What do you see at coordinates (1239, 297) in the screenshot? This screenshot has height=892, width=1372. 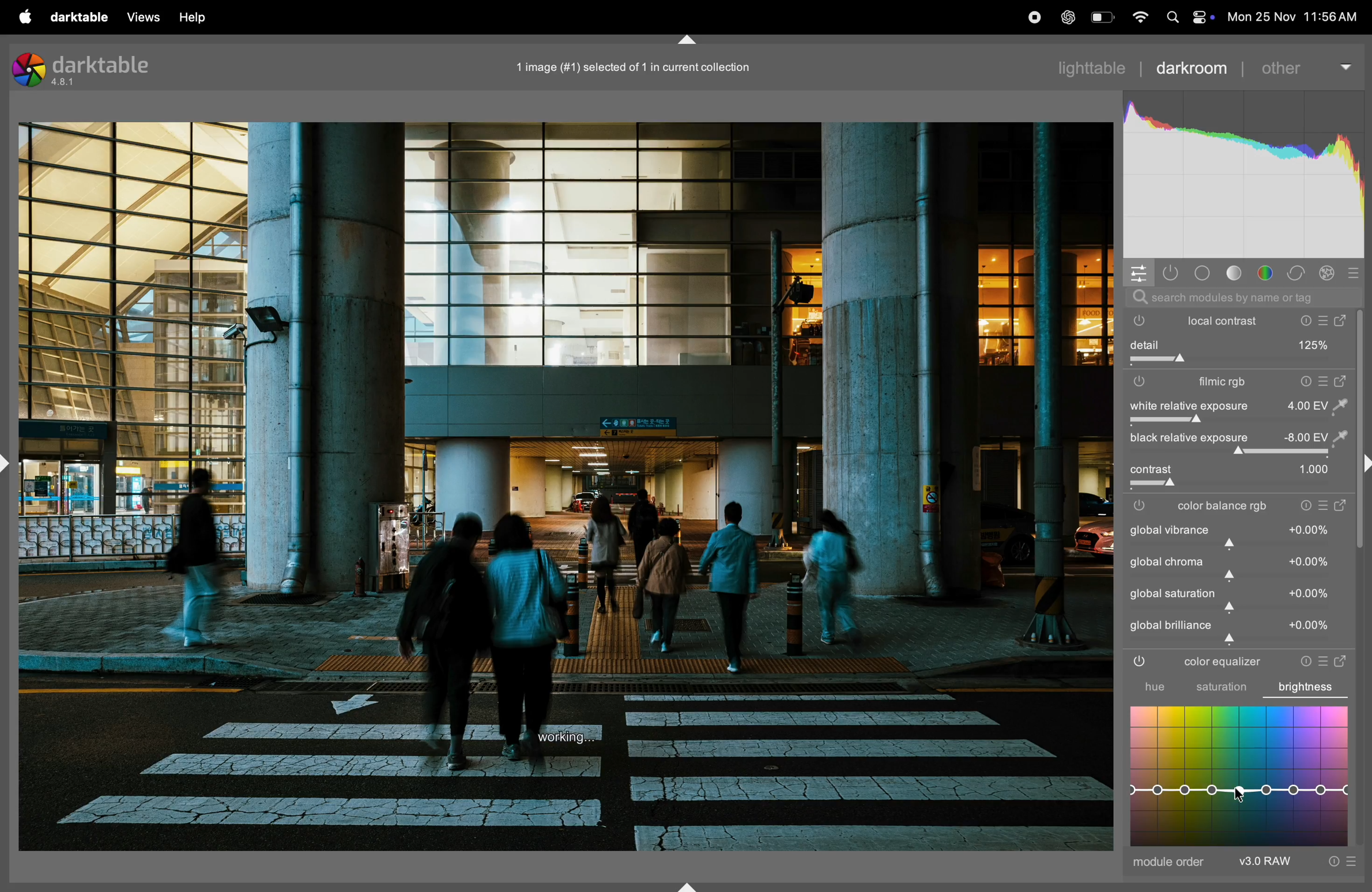 I see `search bar` at bounding box center [1239, 297].